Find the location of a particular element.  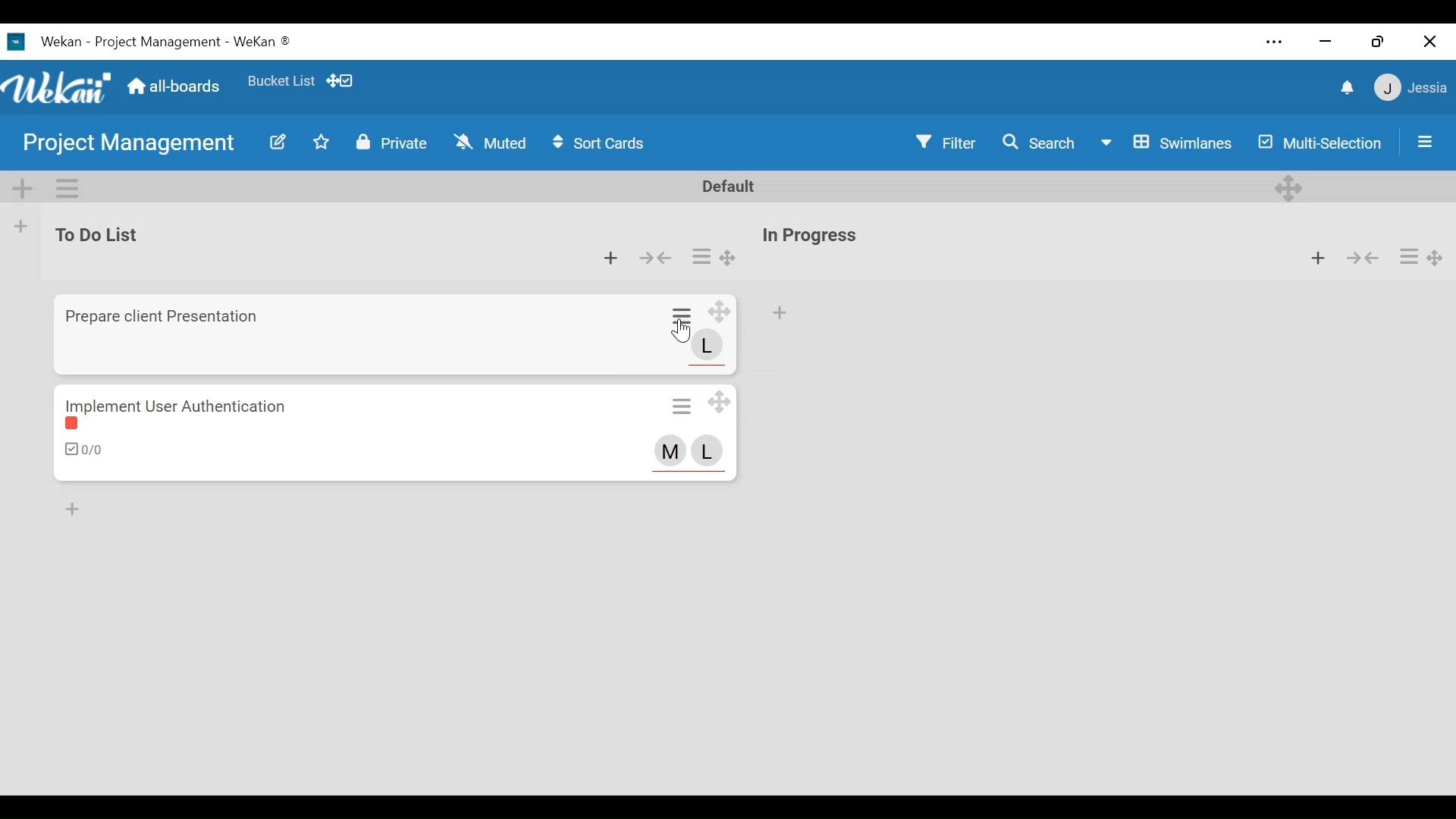

card actions is located at coordinates (684, 315).